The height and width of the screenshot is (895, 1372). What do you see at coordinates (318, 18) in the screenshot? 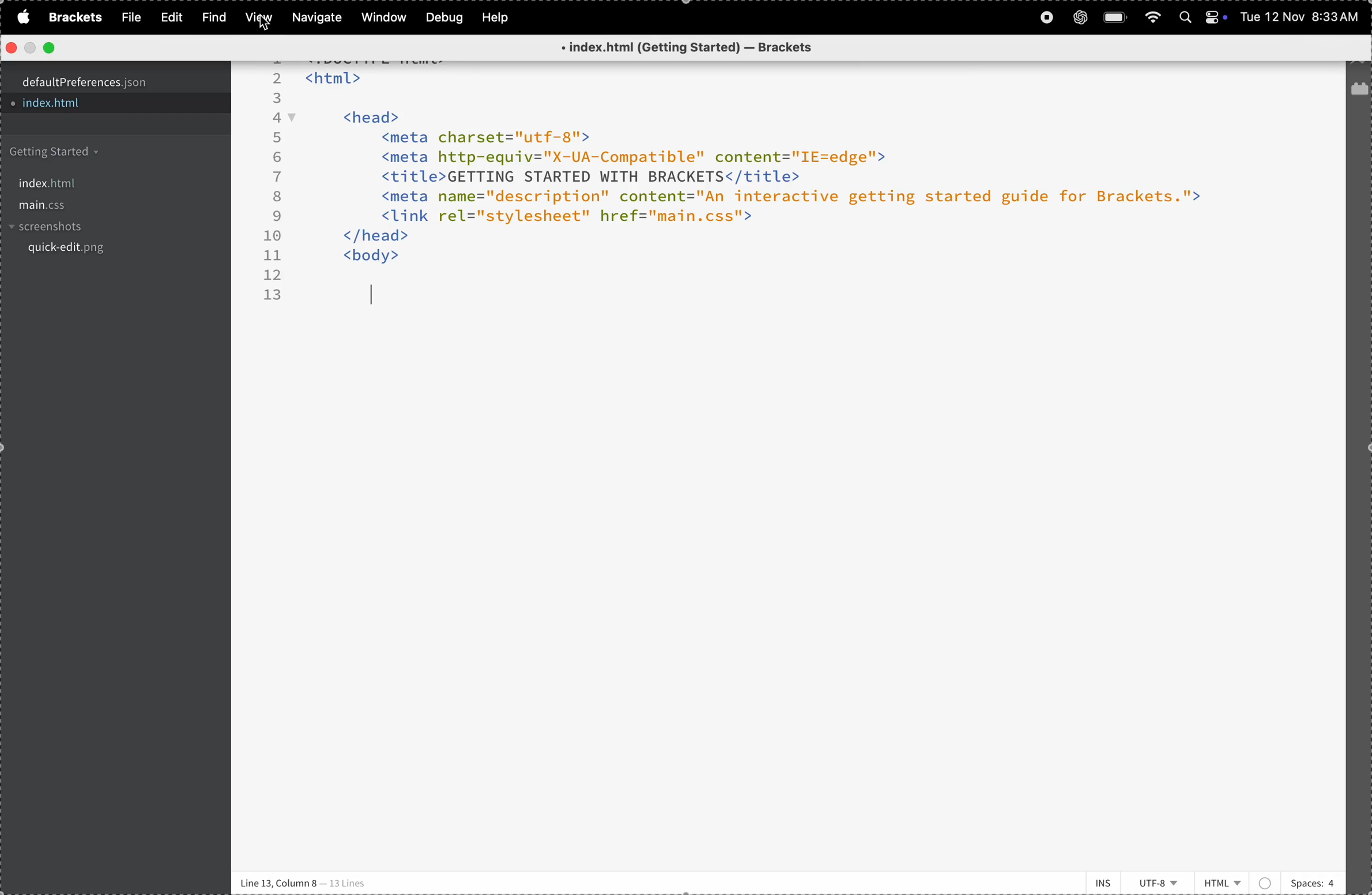
I see `navigate` at bounding box center [318, 18].